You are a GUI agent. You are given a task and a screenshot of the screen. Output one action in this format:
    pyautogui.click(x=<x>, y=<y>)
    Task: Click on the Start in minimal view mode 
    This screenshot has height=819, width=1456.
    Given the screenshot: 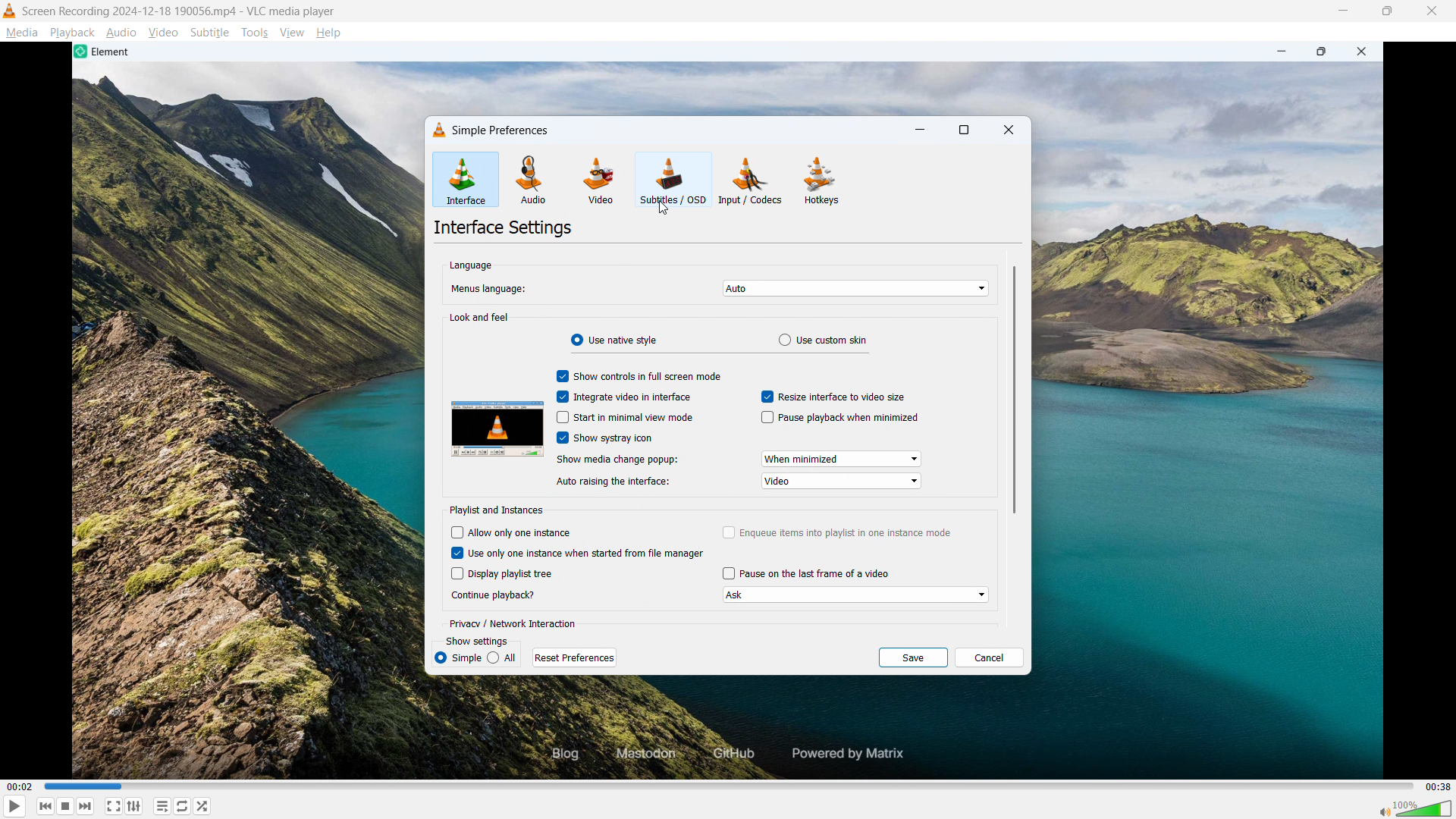 What is the action you would take?
    pyautogui.click(x=635, y=416)
    